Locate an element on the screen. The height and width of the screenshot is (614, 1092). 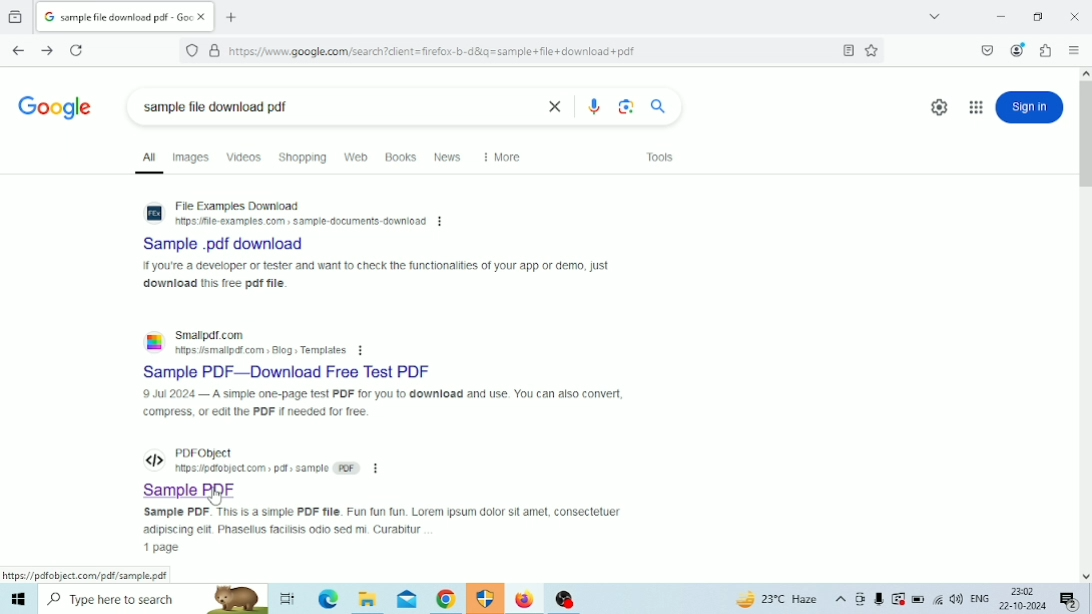
Mic is located at coordinates (879, 599).